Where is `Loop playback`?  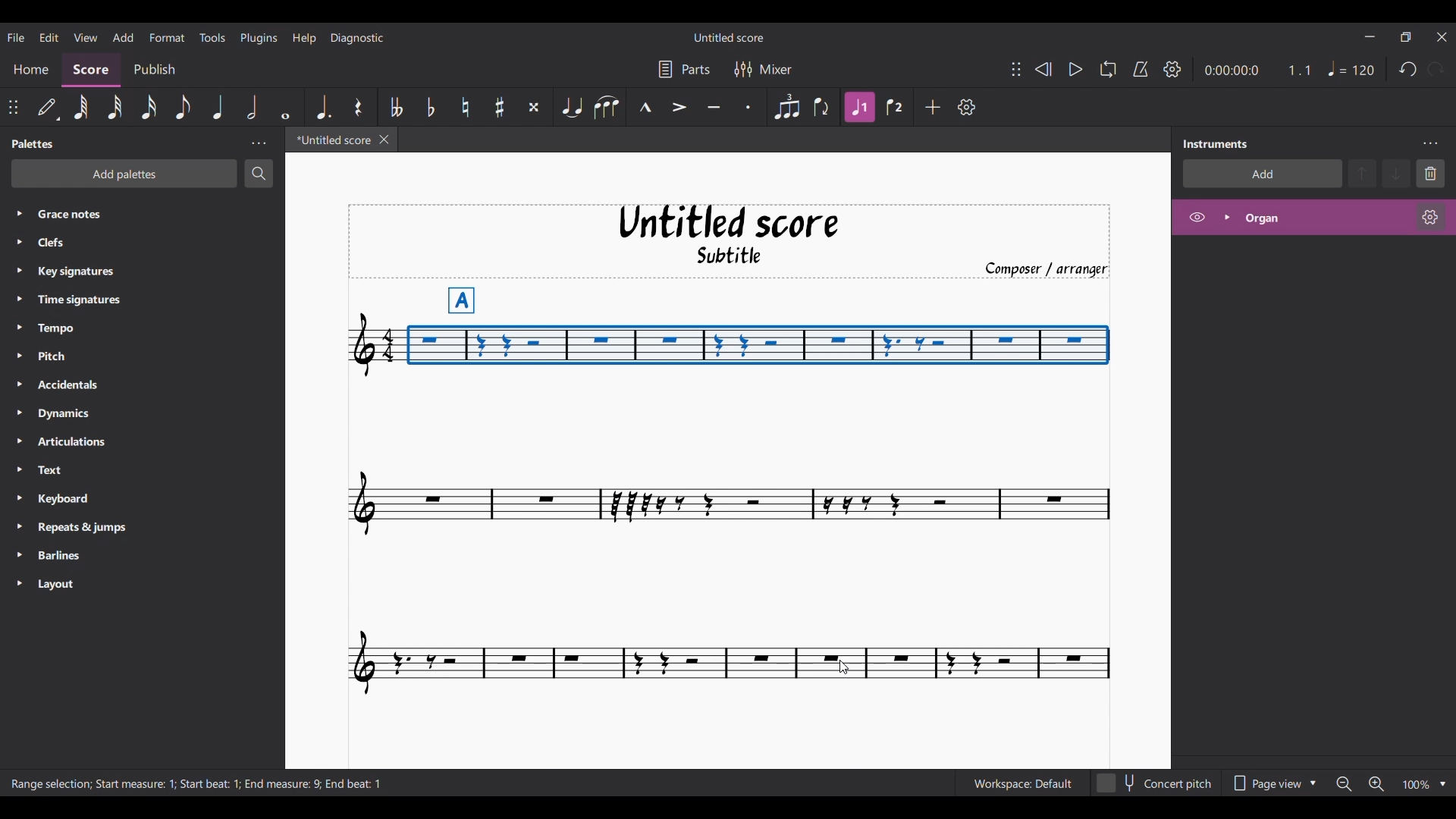
Loop playback is located at coordinates (1108, 69).